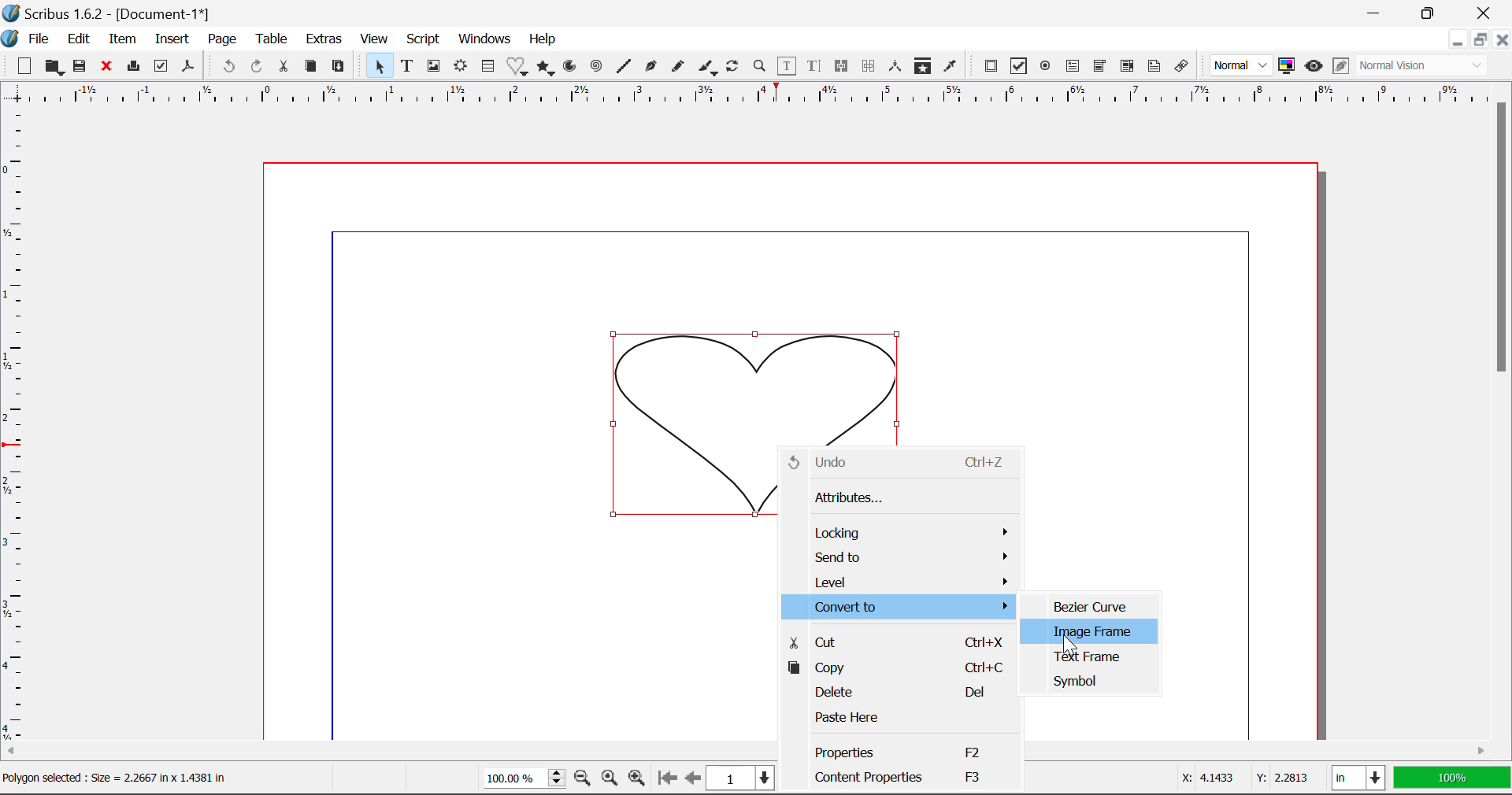 This screenshot has width=1512, height=795. Describe the element at coordinates (461, 67) in the screenshot. I see `Render Frame` at that location.